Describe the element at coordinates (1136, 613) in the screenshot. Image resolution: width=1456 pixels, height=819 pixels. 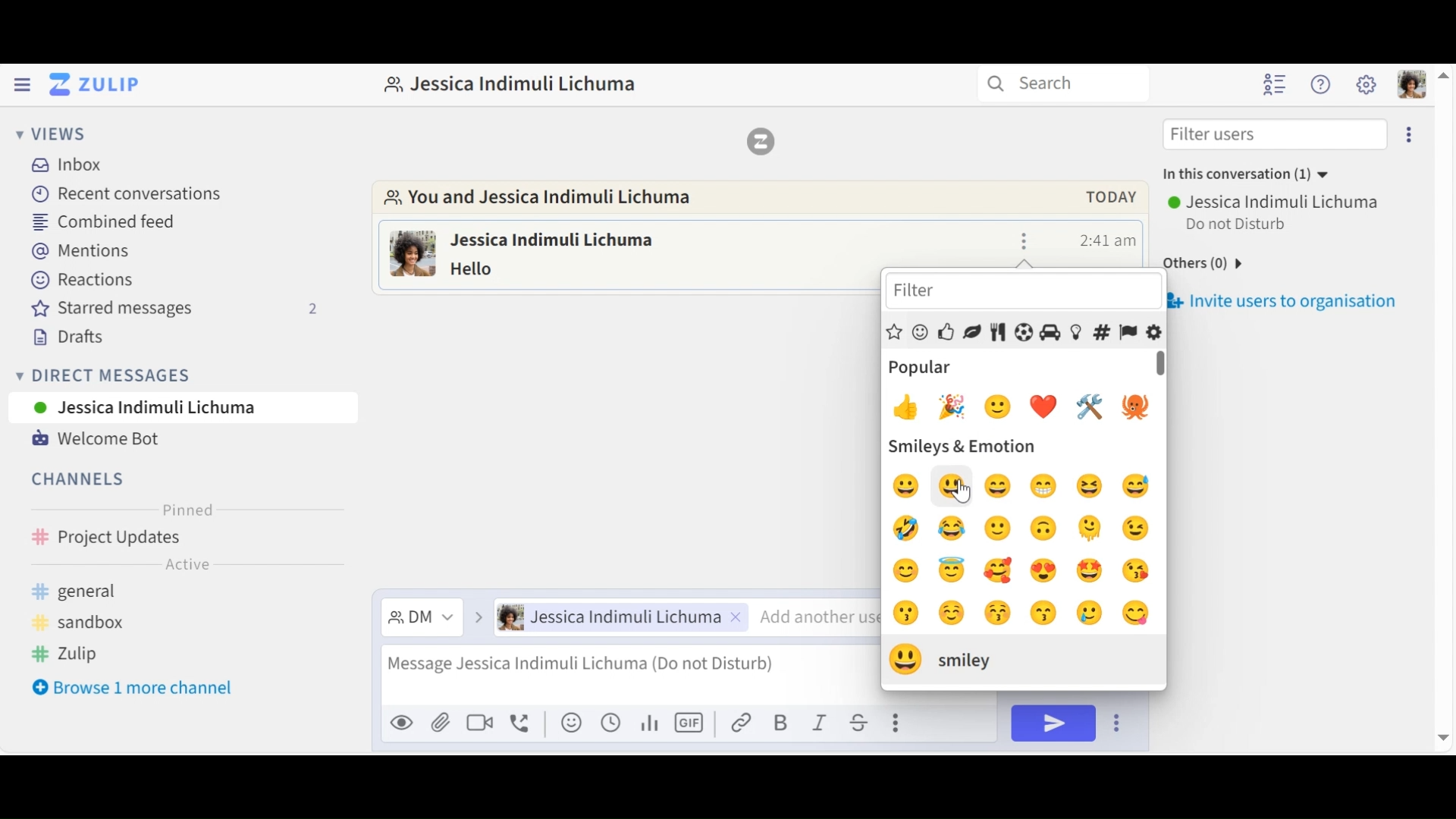
I see `smile with tongue out` at that location.